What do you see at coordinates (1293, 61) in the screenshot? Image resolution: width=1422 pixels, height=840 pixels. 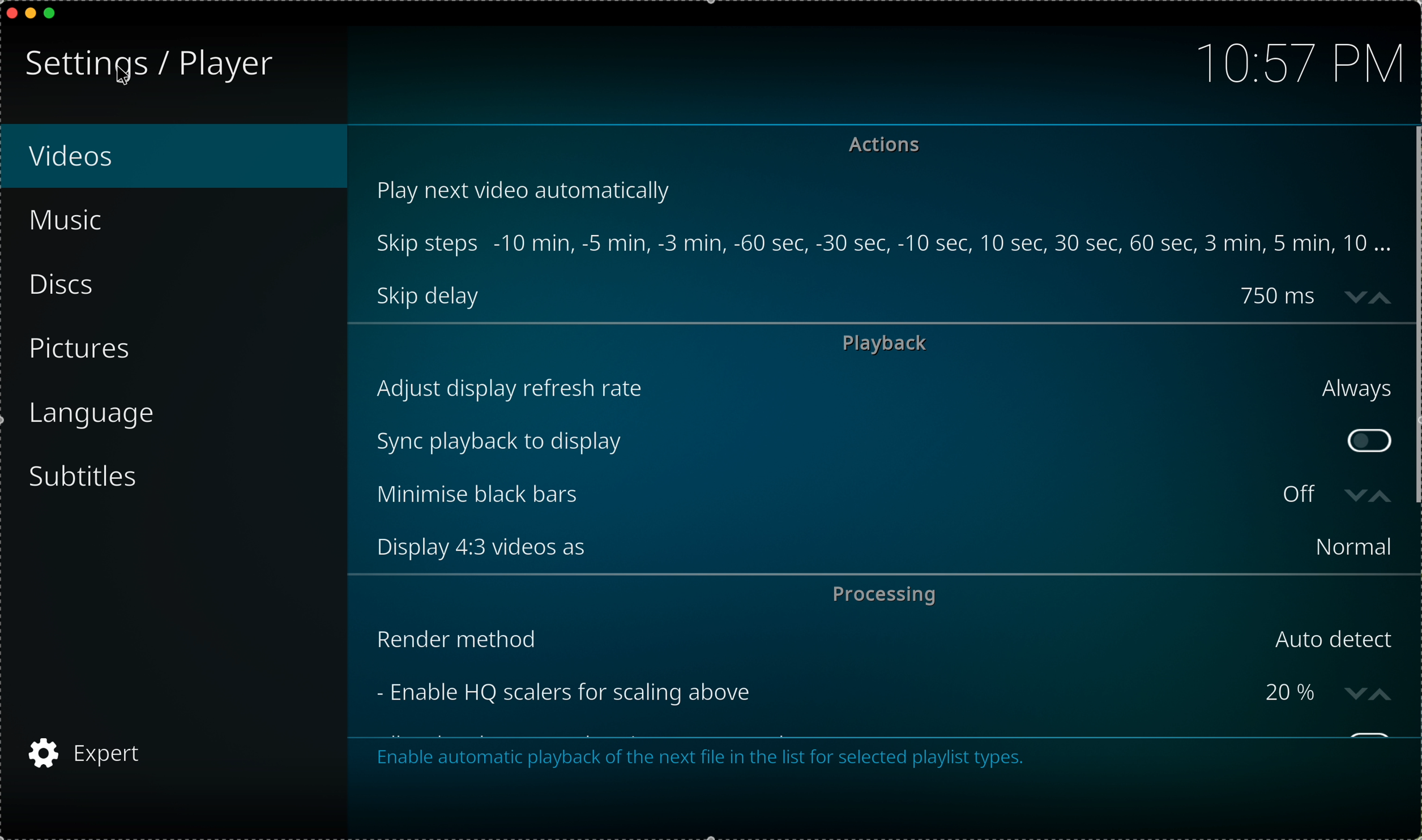 I see `10:57 PM` at bounding box center [1293, 61].